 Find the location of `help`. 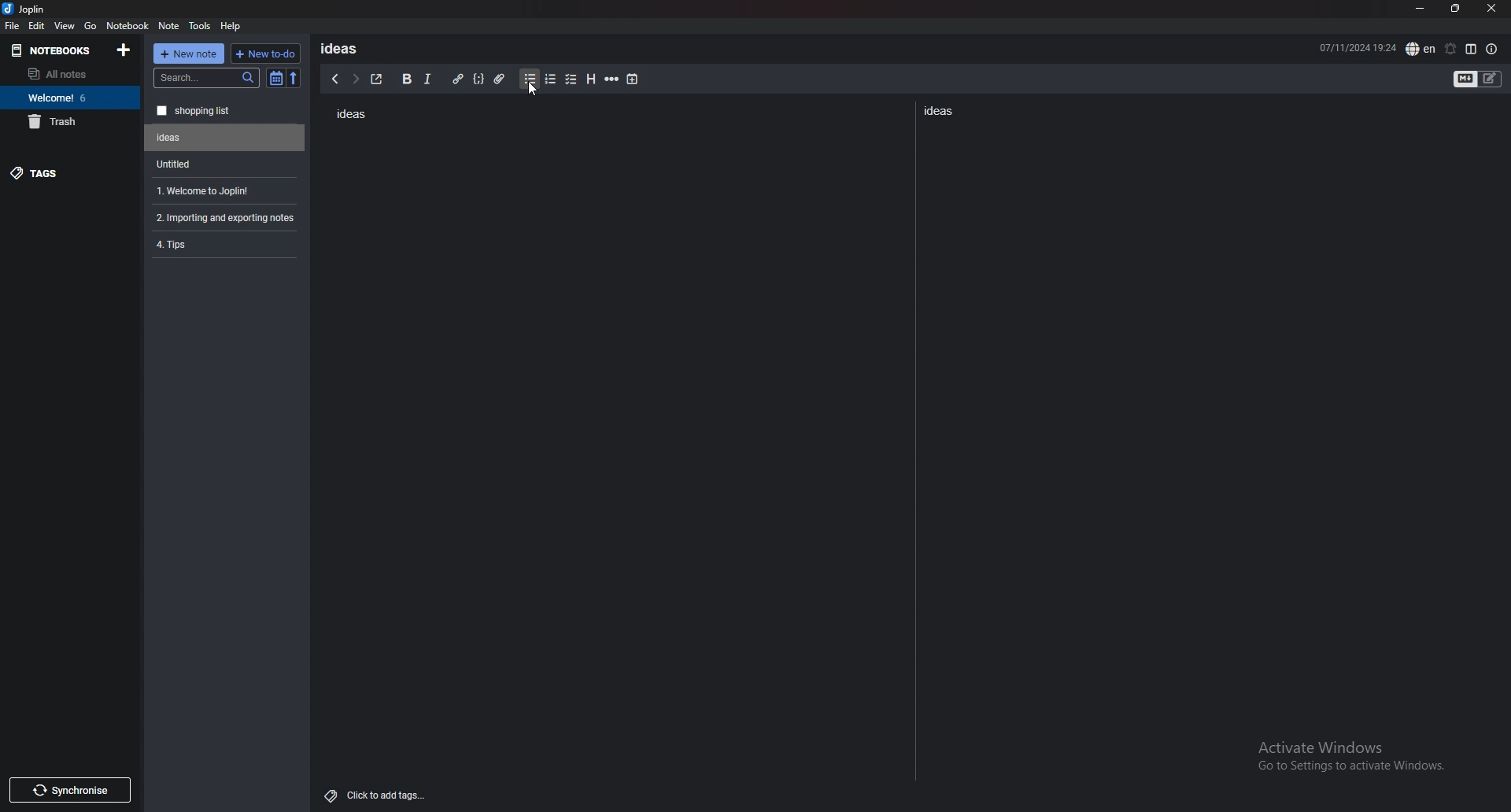

help is located at coordinates (231, 25).